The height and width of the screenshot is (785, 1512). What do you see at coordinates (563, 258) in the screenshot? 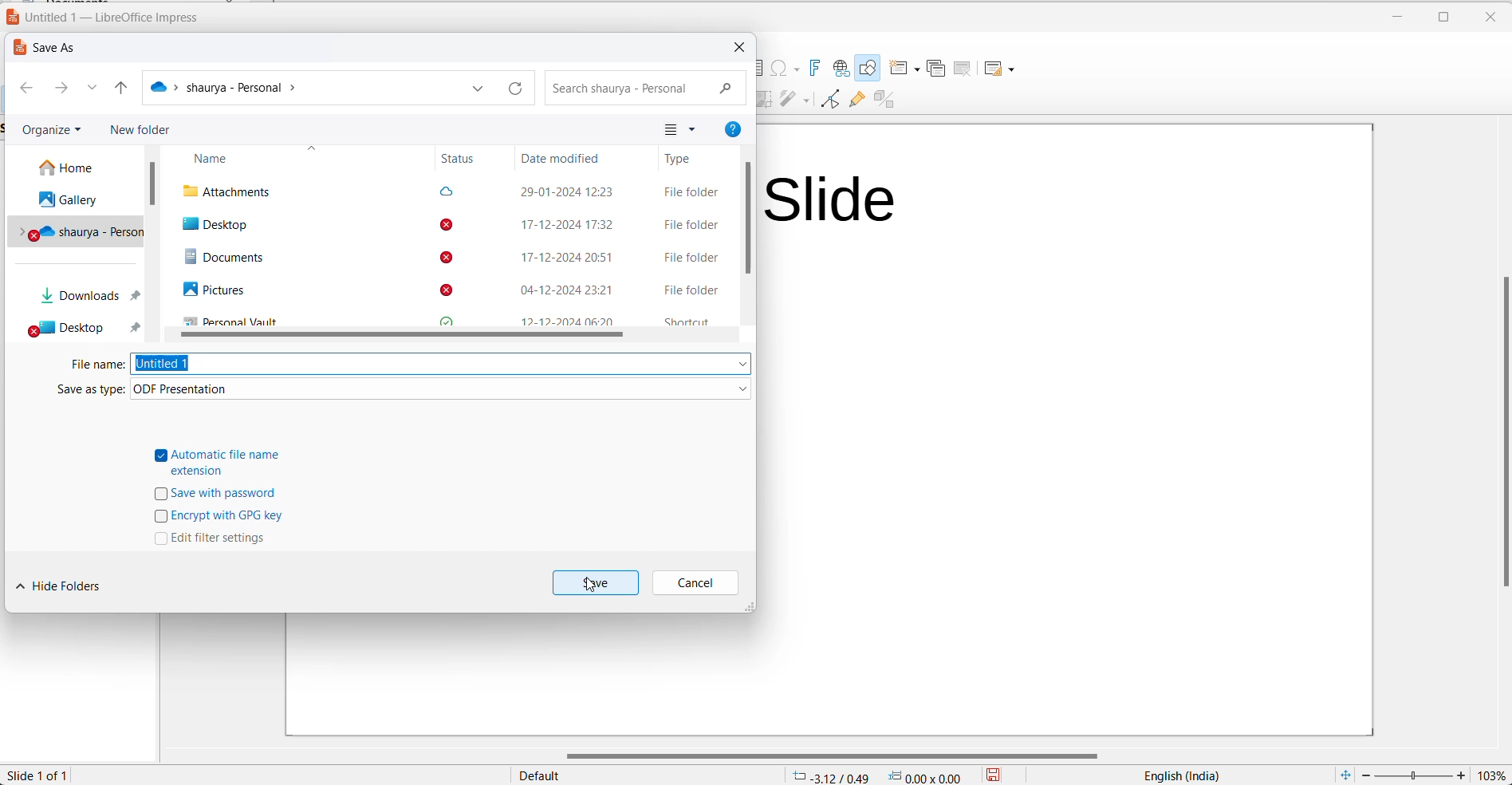
I see `17-12-2024 20:51` at bounding box center [563, 258].